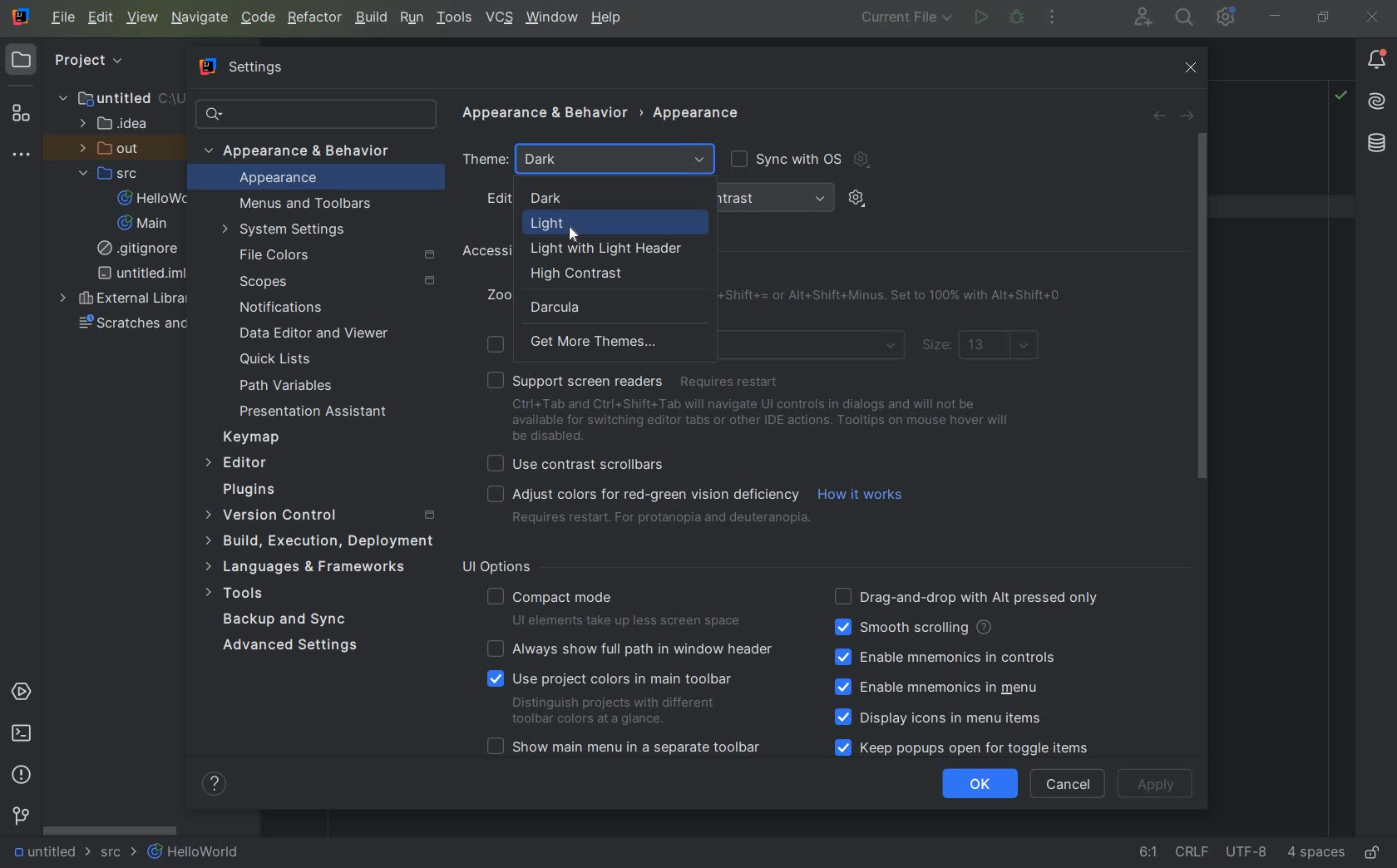  I want to click on use project colors in main toolbar(checked), so click(618, 697).